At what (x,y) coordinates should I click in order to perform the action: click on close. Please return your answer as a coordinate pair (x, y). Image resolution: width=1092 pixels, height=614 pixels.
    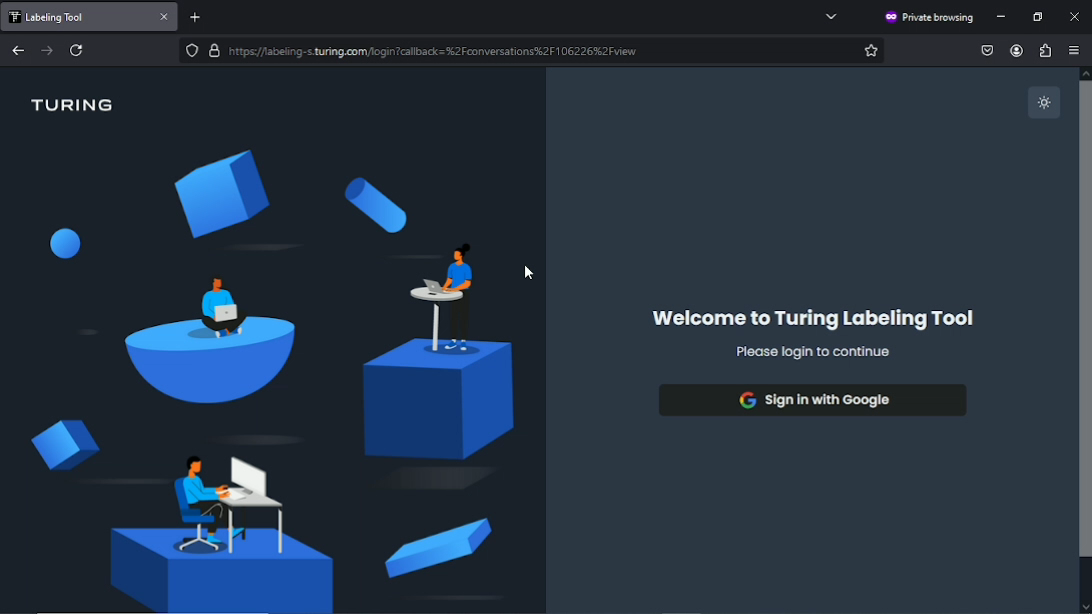
    Looking at the image, I should click on (166, 18).